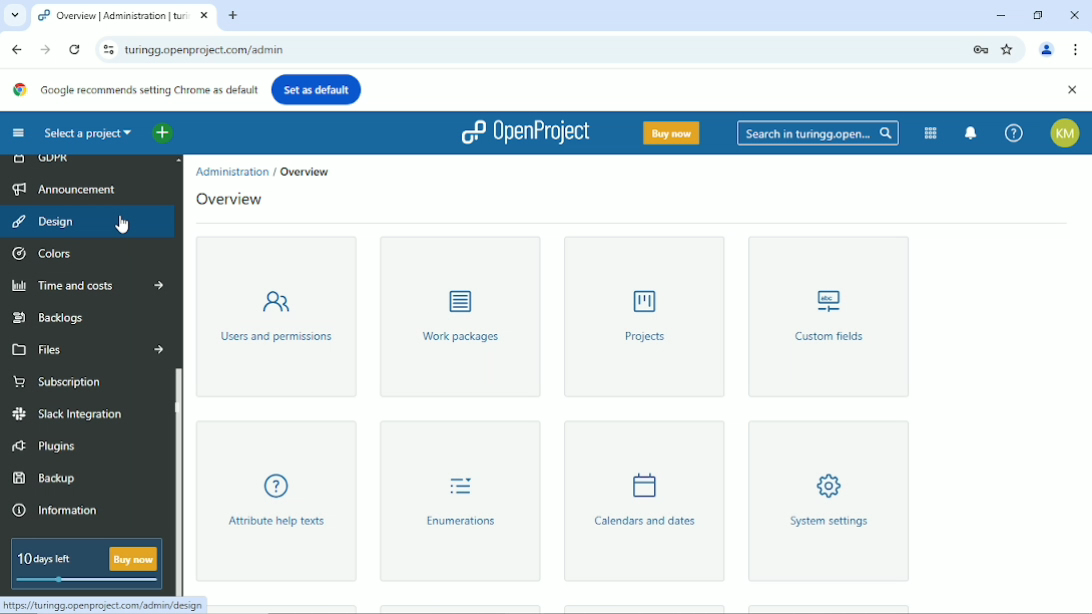 This screenshot has height=614, width=1092. Describe the element at coordinates (1074, 13) in the screenshot. I see `Close` at that location.